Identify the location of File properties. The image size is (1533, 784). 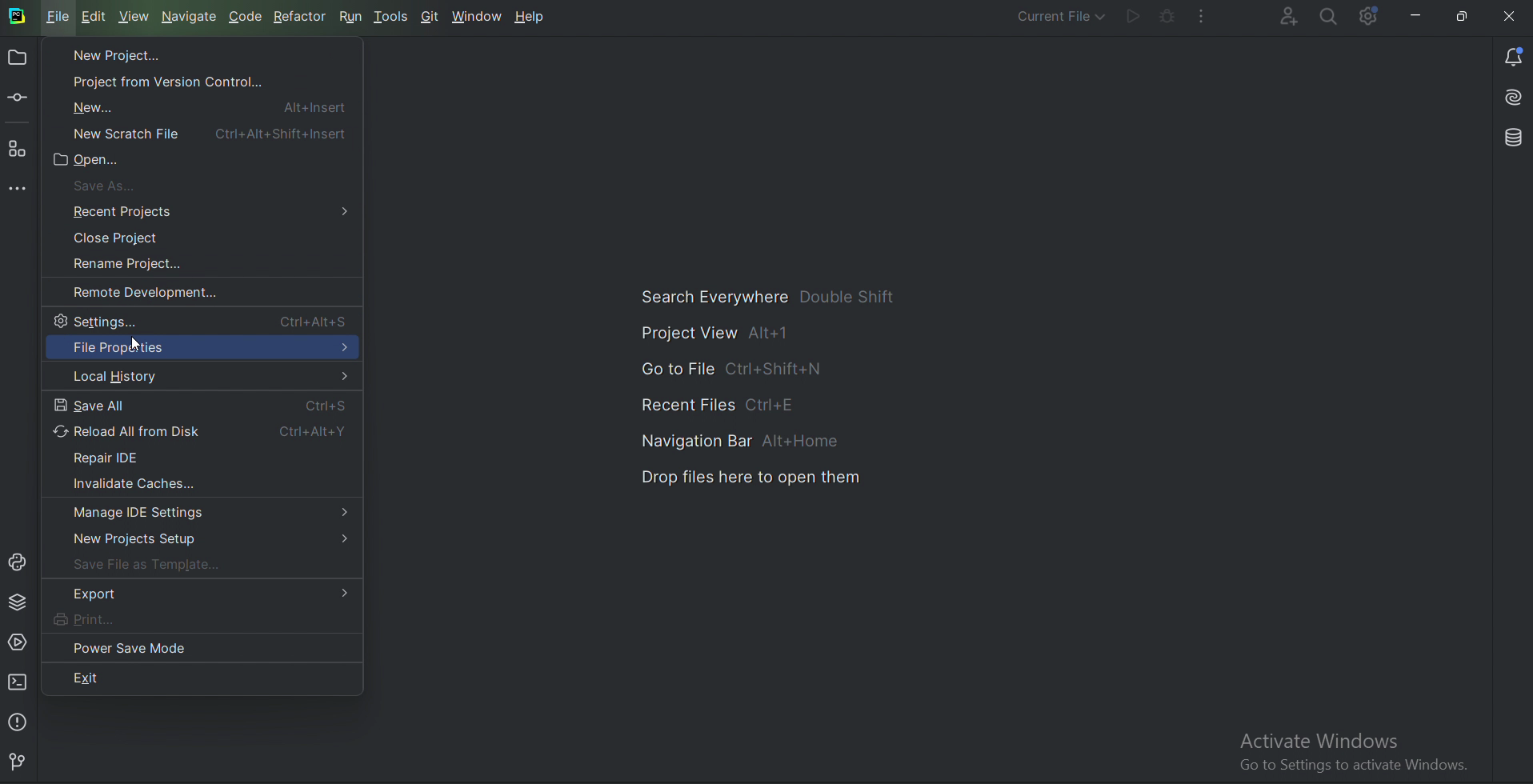
(201, 349).